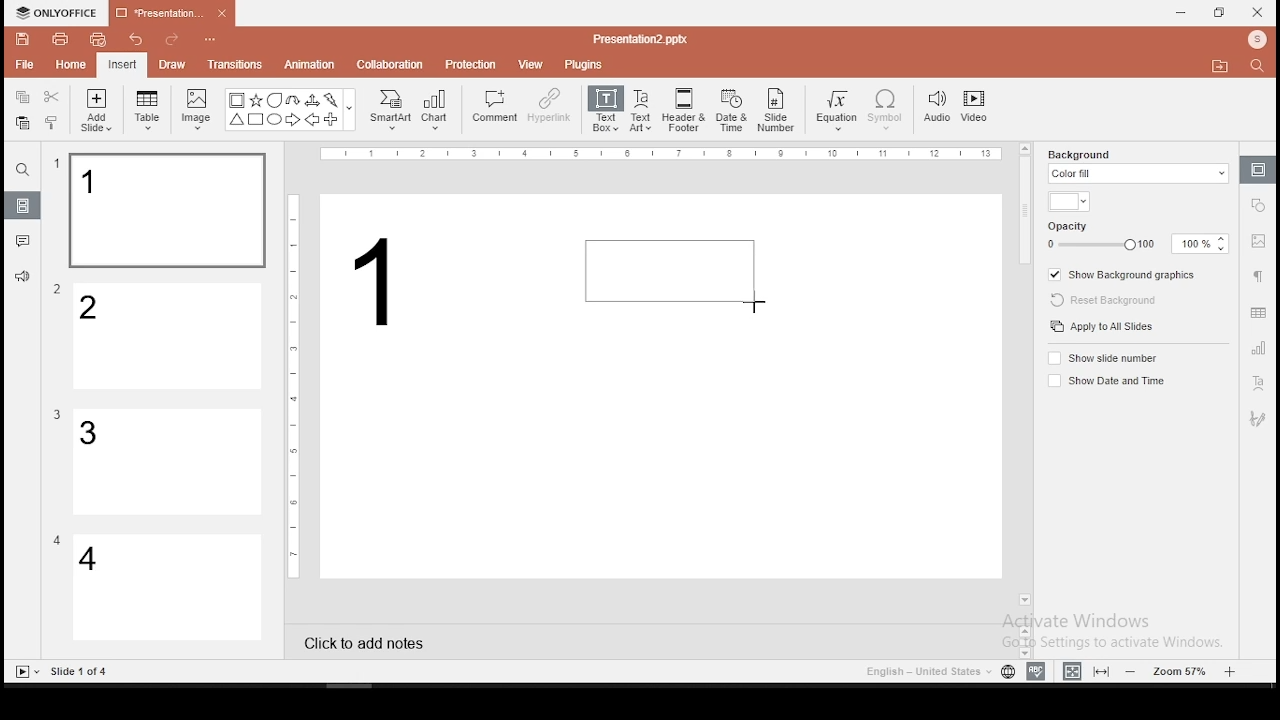 The height and width of the screenshot is (720, 1280). I want to click on clone formatting, so click(52, 122).